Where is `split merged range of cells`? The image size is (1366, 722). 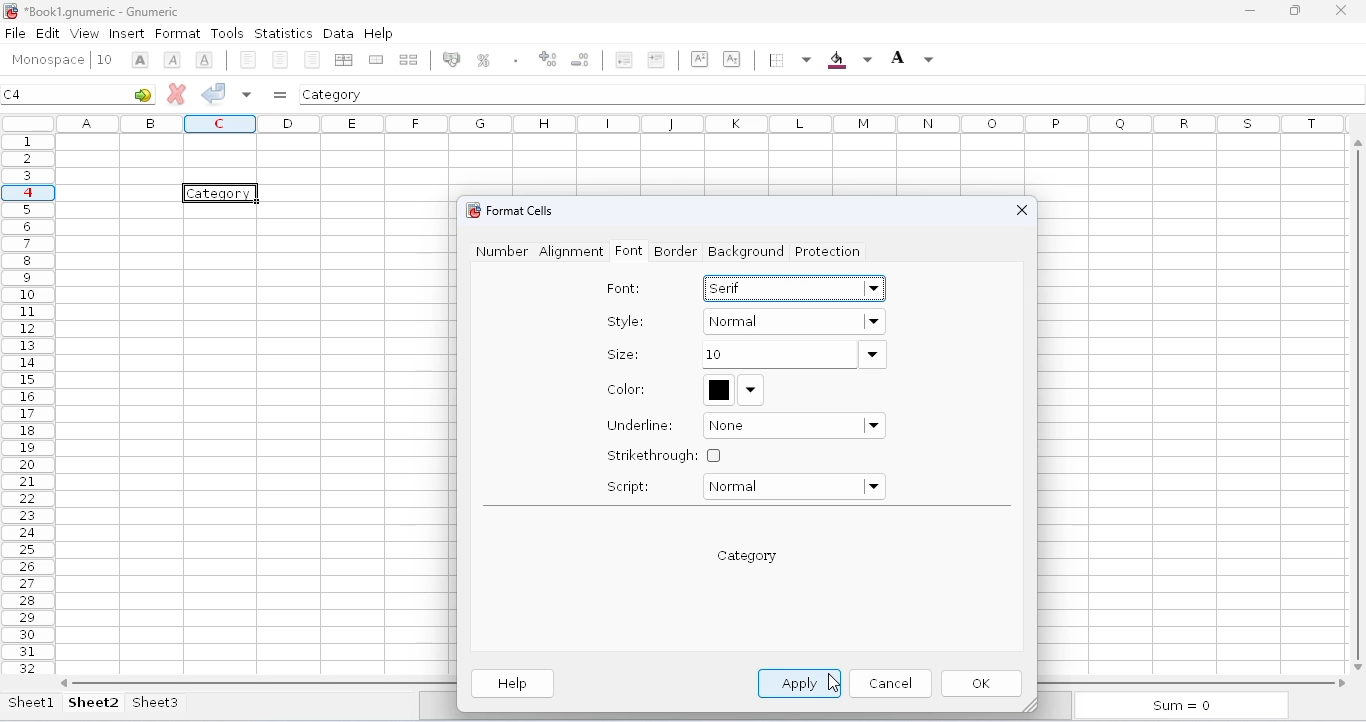
split merged range of cells is located at coordinates (409, 59).